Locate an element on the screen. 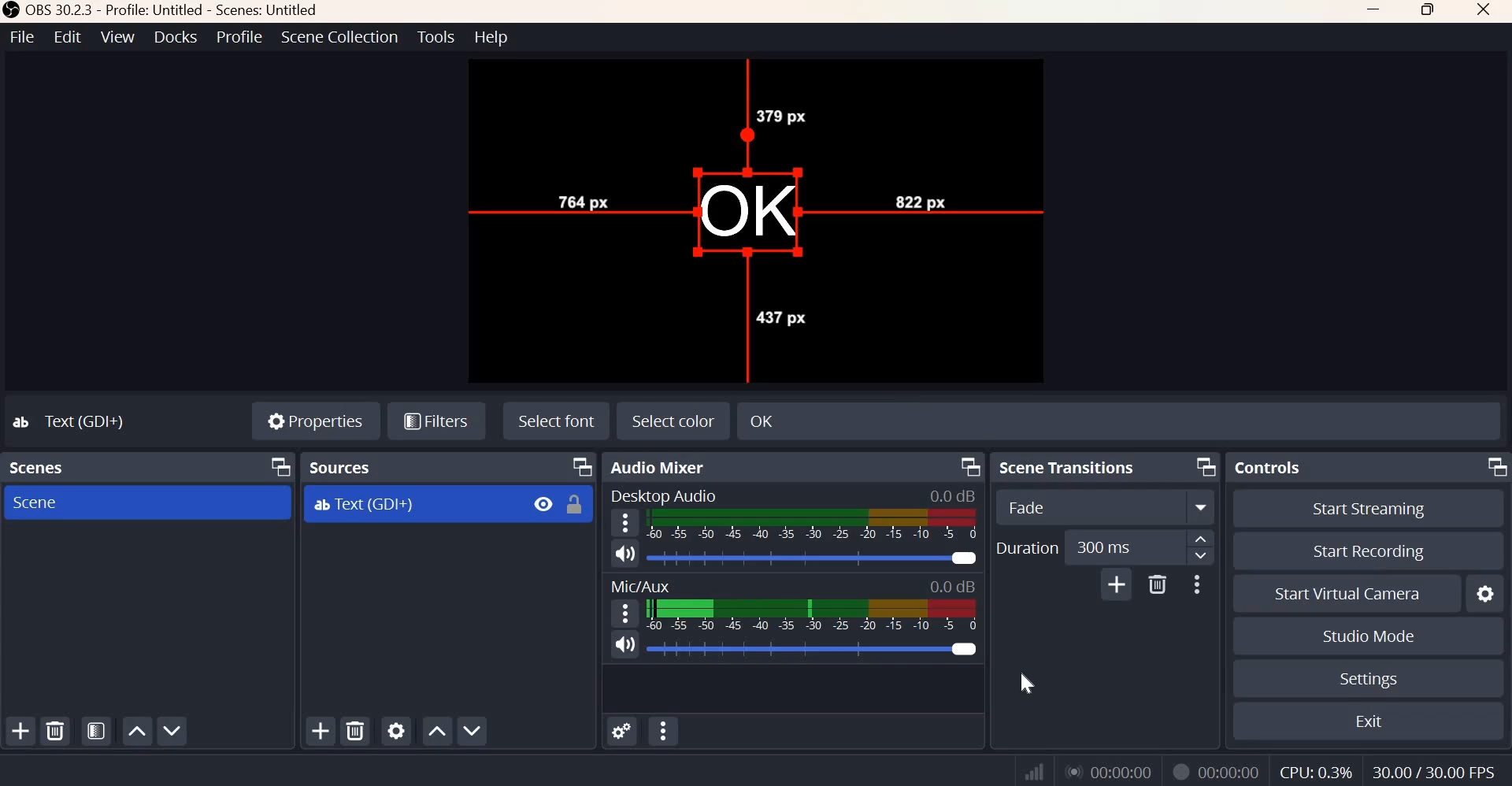 This screenshot has width=1512, height=786. Settings is located at coordinates (1368, 679).